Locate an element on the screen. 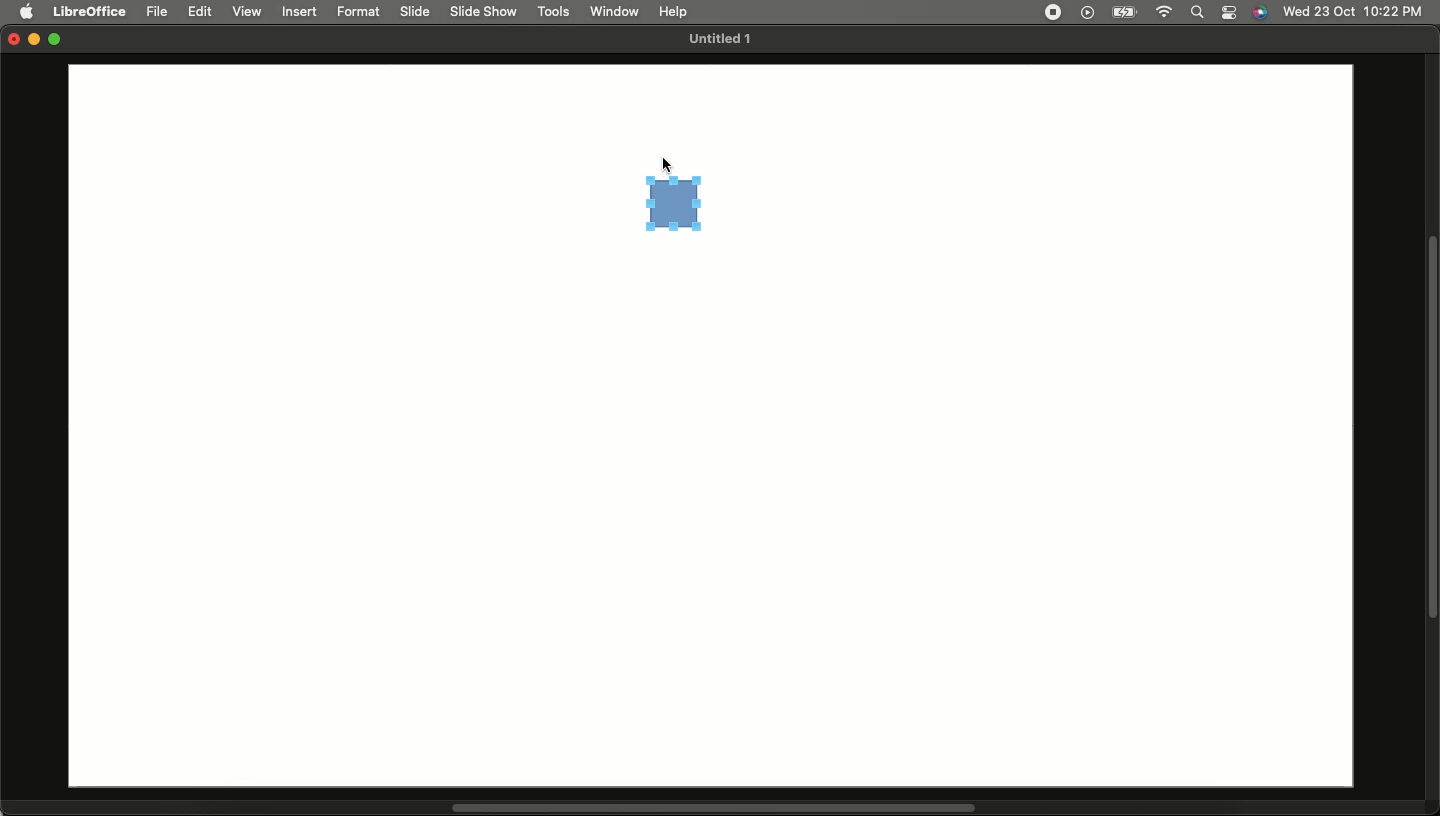  Charge is located at coordinates (1122, 12).